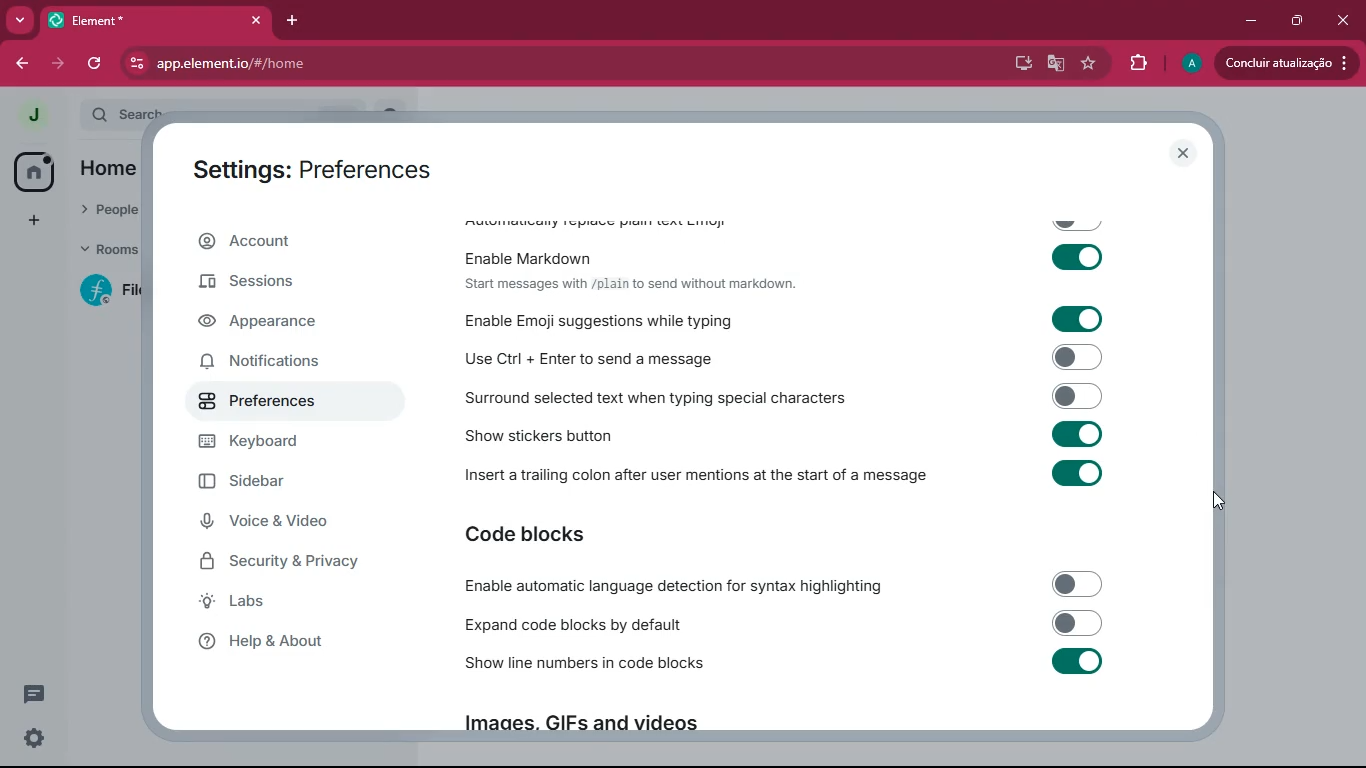 The image size is (1366, 768). Describe the element at coordinates (788, 253) in the screenshot. I see `Enable Markdown` at that location.